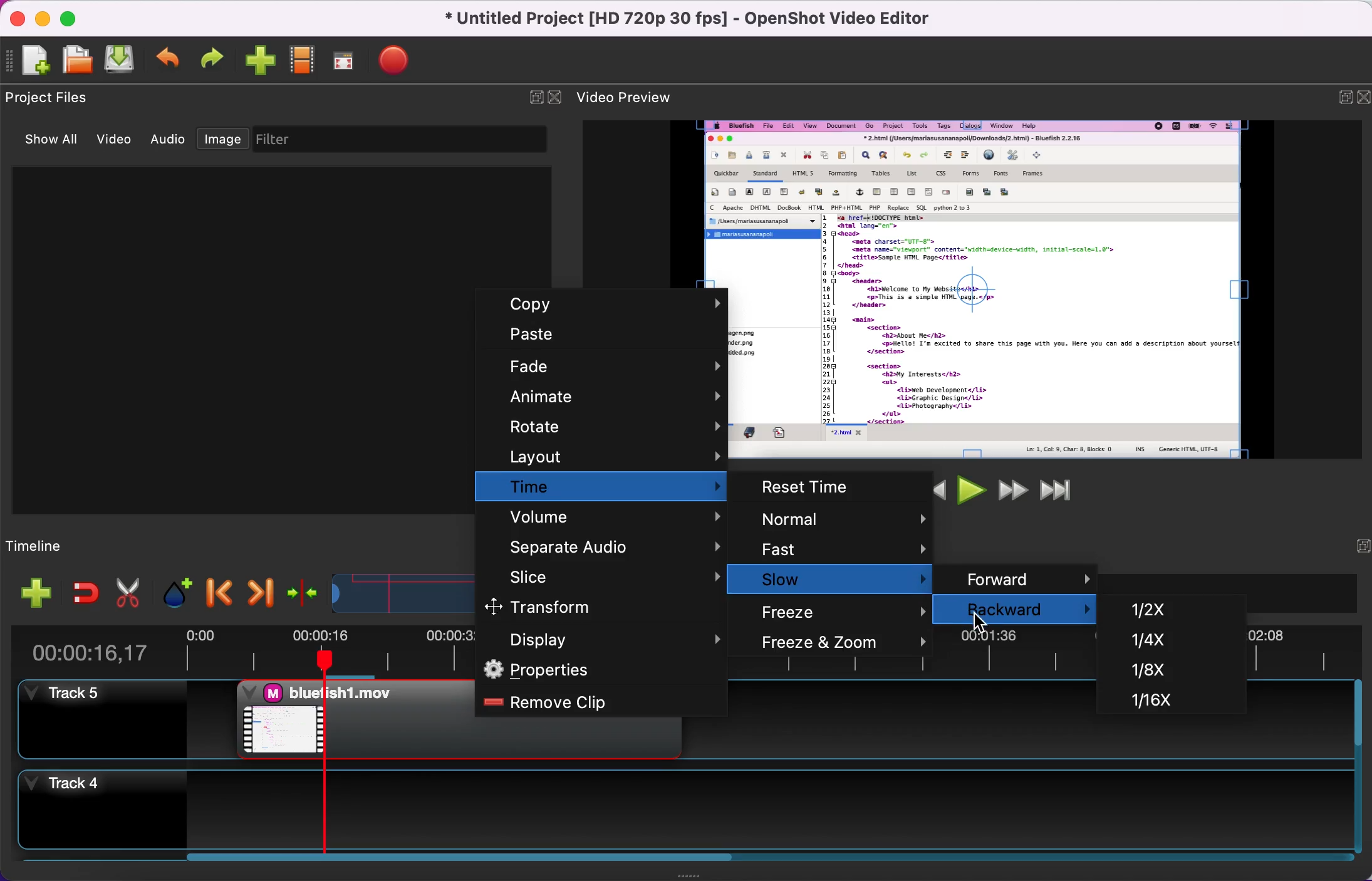 The width and height of the screenshot is (1372, 881). What do you see at coordinates (597, 702) in the screenshot?
I see `remove clip` at bounding box center [597, 702].